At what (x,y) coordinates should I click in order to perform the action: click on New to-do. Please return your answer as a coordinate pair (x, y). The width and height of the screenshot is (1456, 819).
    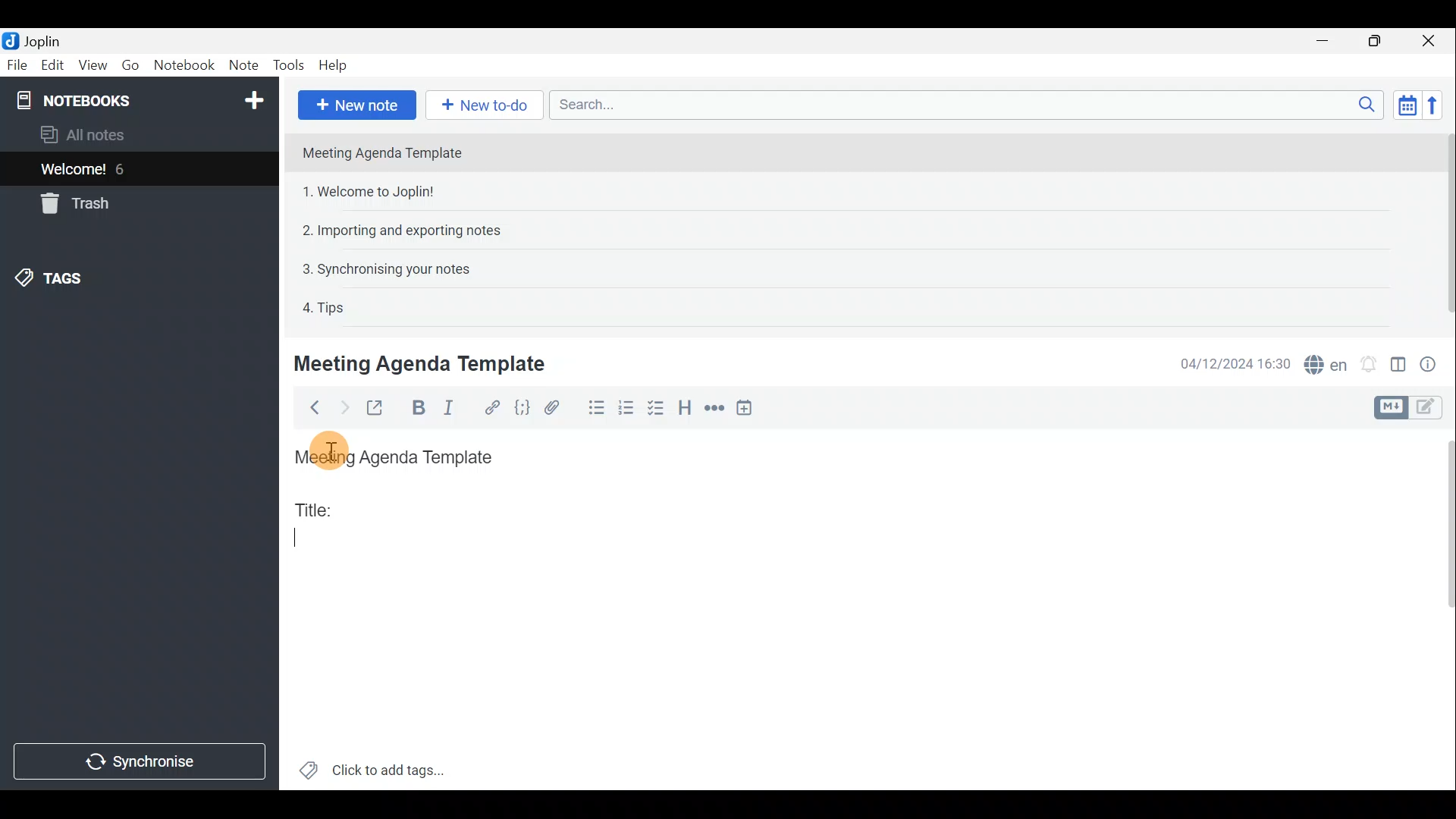
    Looking at the image, I should click on (482, 104).